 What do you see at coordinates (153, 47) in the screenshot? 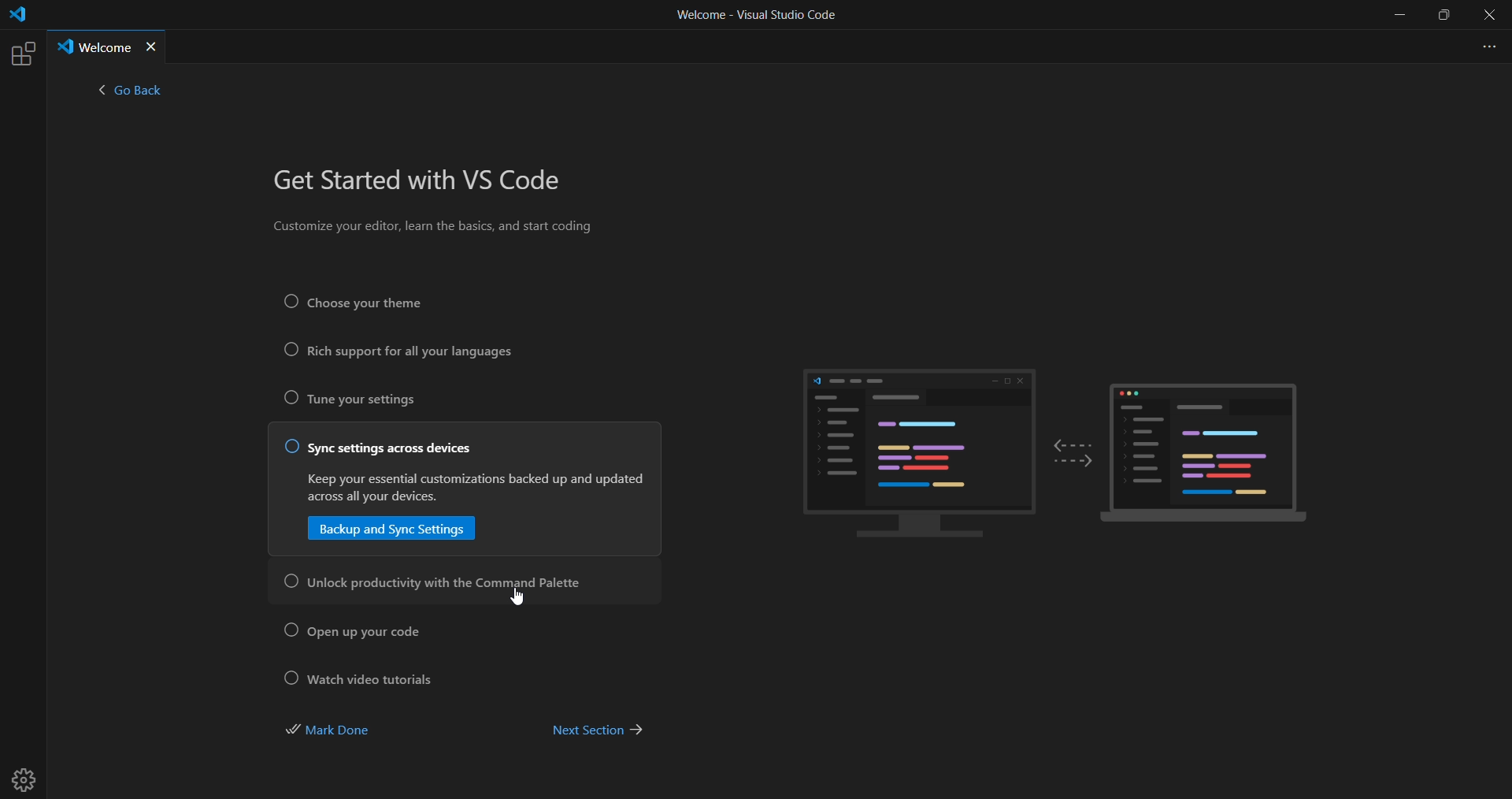
I see `close tab` at bounding box center [153, 47].